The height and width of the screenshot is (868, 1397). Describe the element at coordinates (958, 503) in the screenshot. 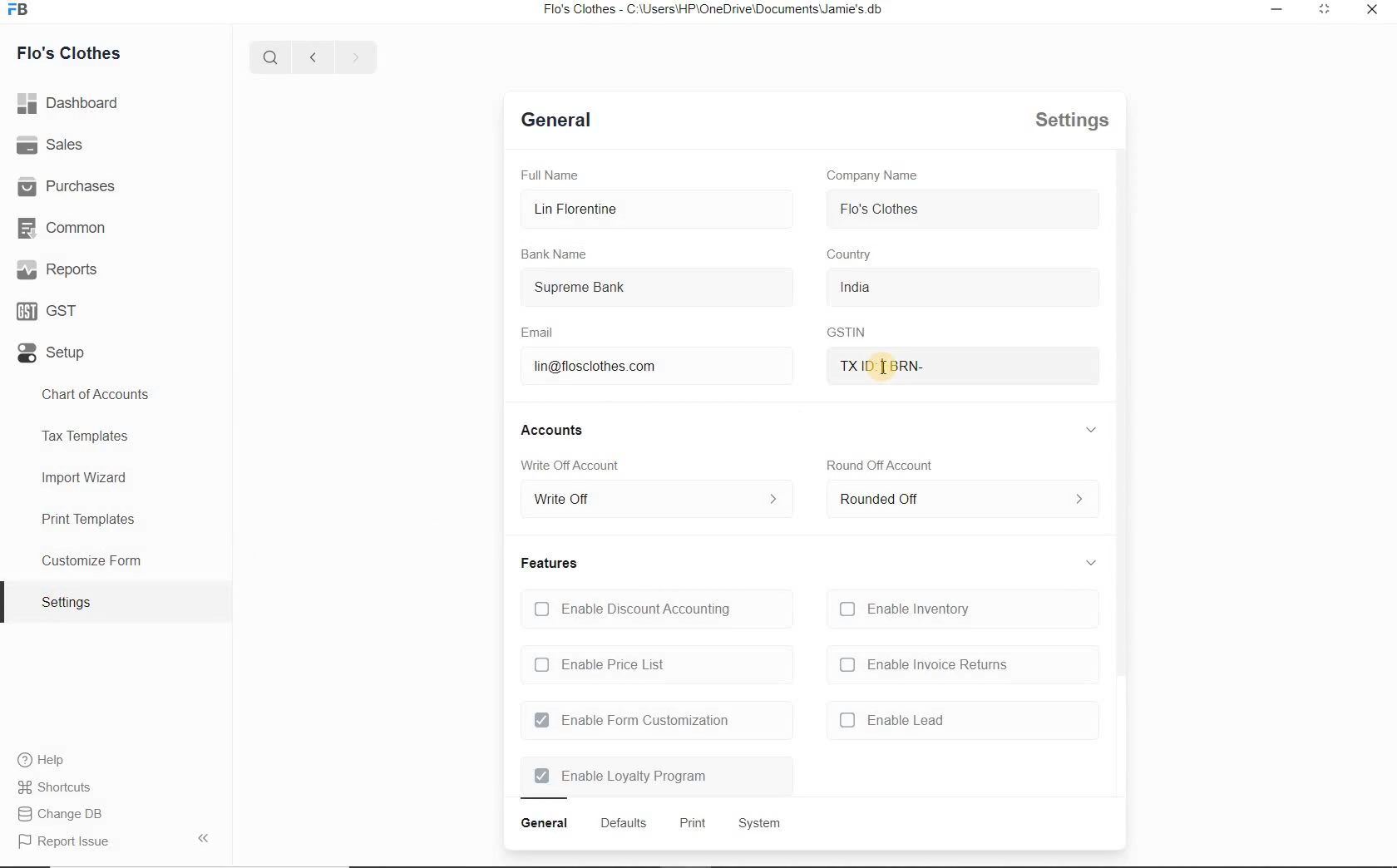

I see `rounded off` at that location.